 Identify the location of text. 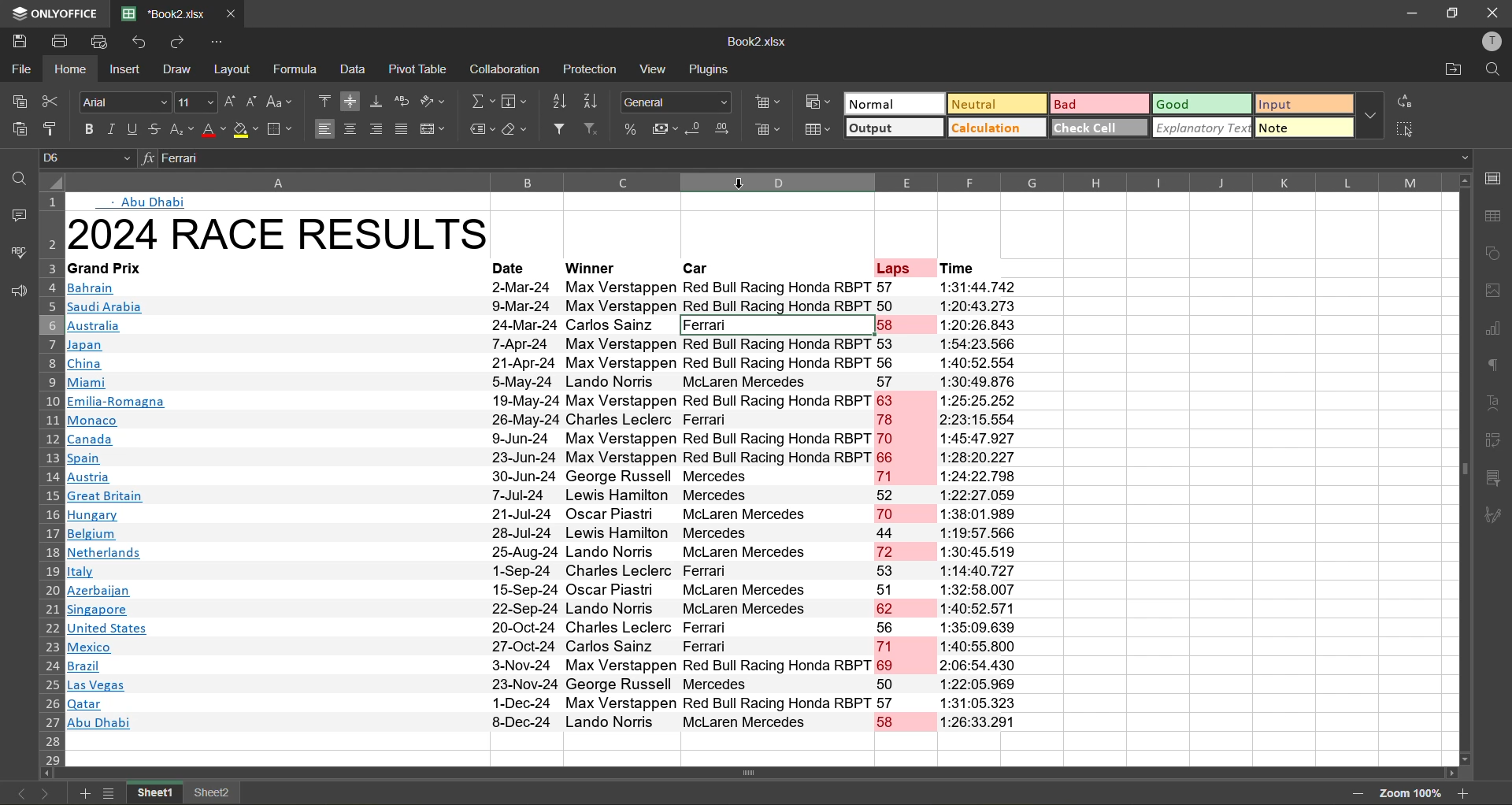
(1497, 402).